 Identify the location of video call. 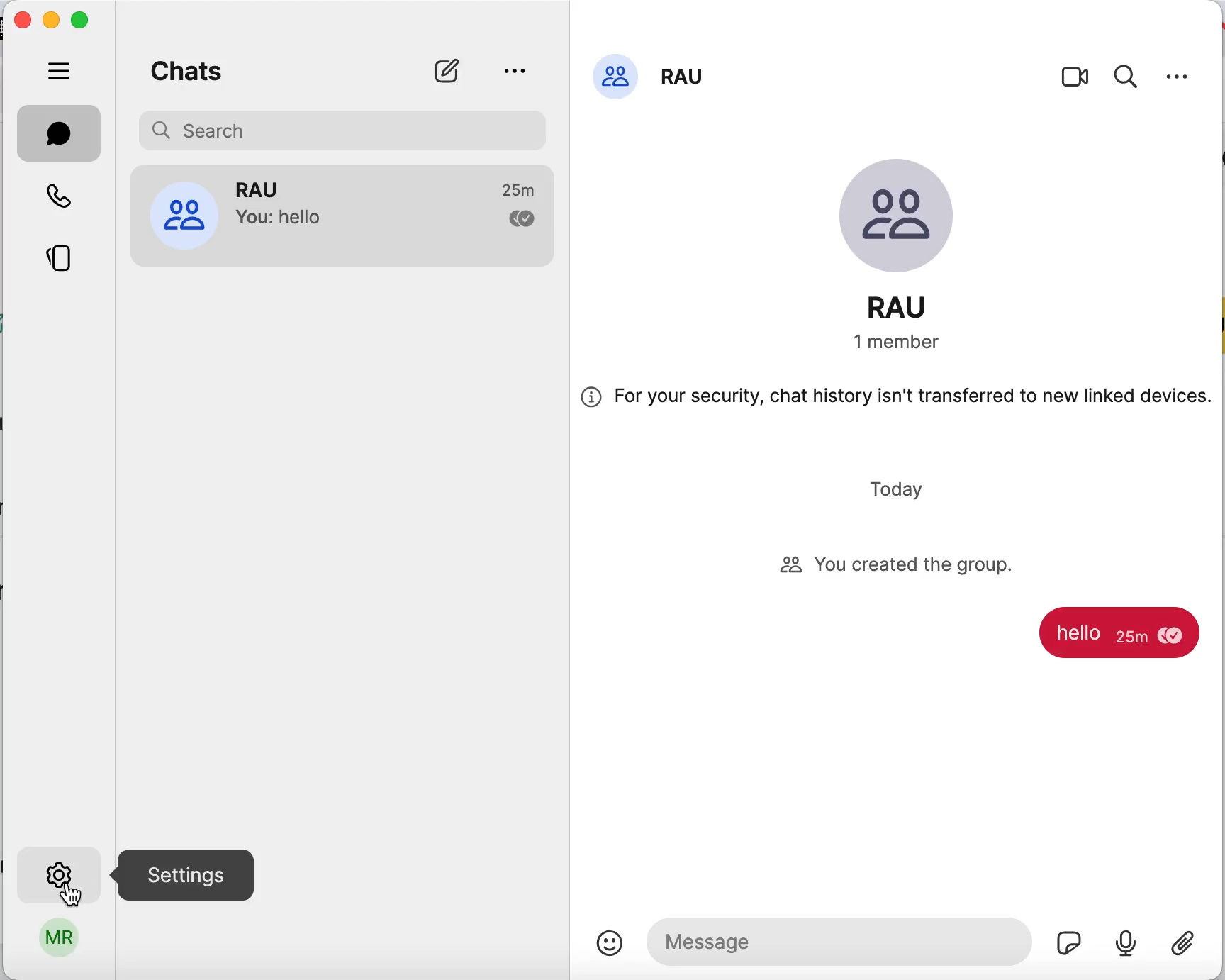
(1079, 76).